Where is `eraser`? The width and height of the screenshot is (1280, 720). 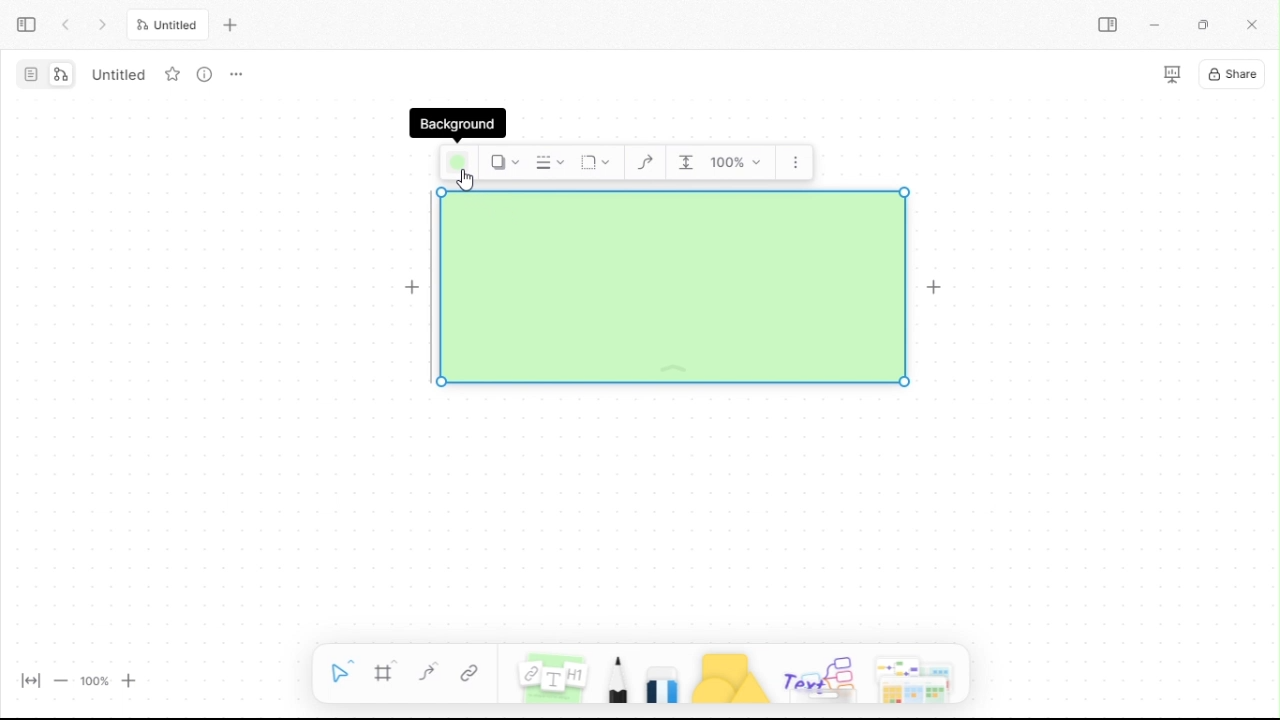 eraser is located at coordinates (663, 676).